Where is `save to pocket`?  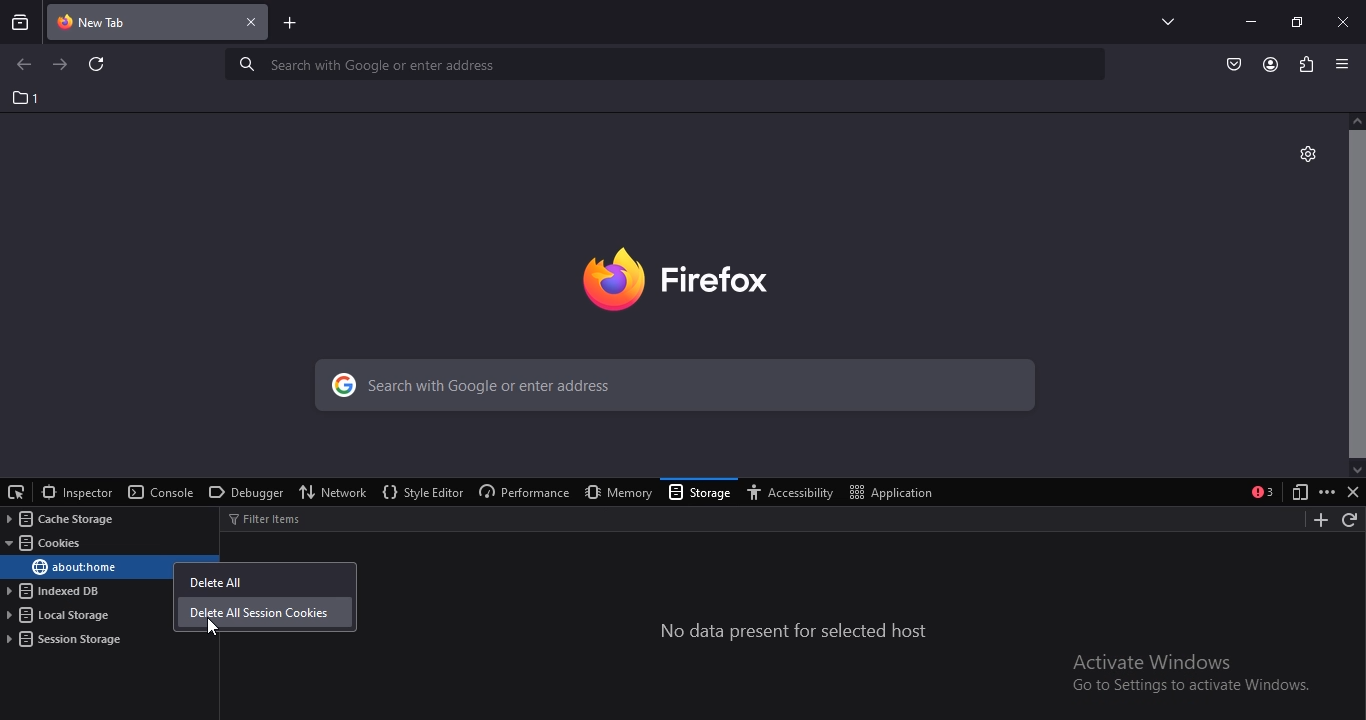 save to pocket is located at coordinates (1235, 63).